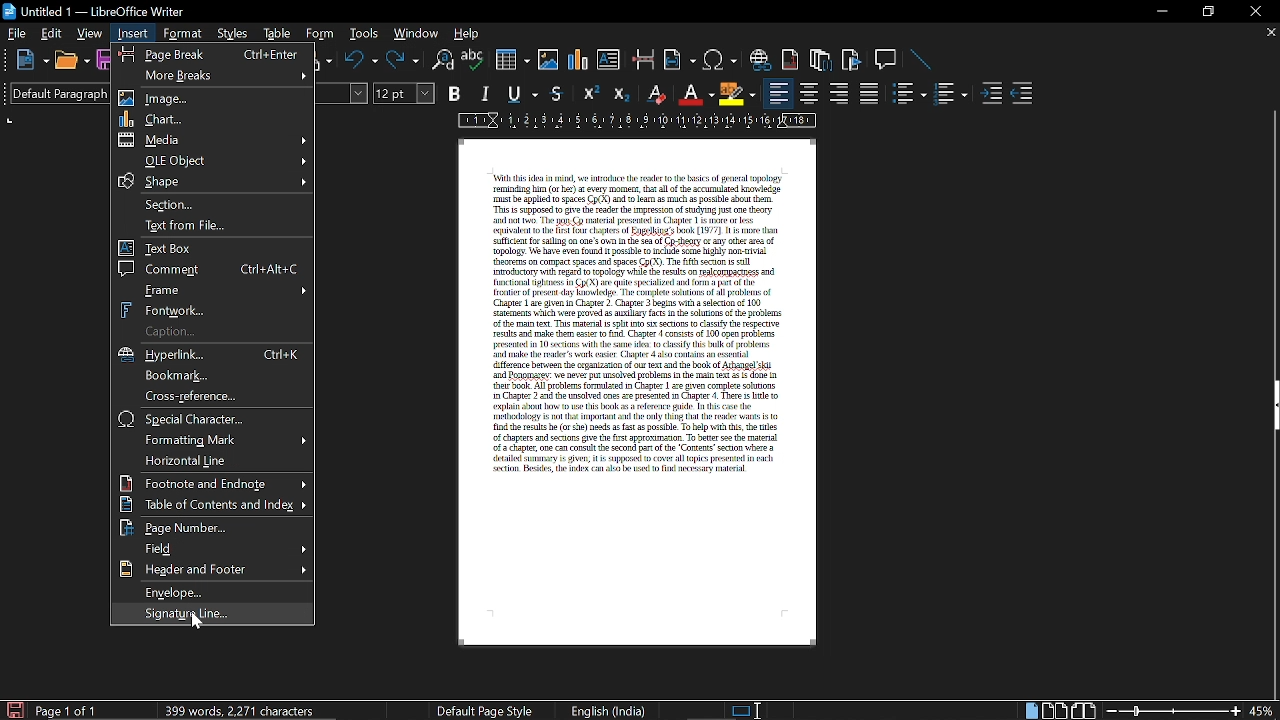  Describe the element at coordinates (214, 483) in the screenshot. I see `footnote and endnote` at that location.